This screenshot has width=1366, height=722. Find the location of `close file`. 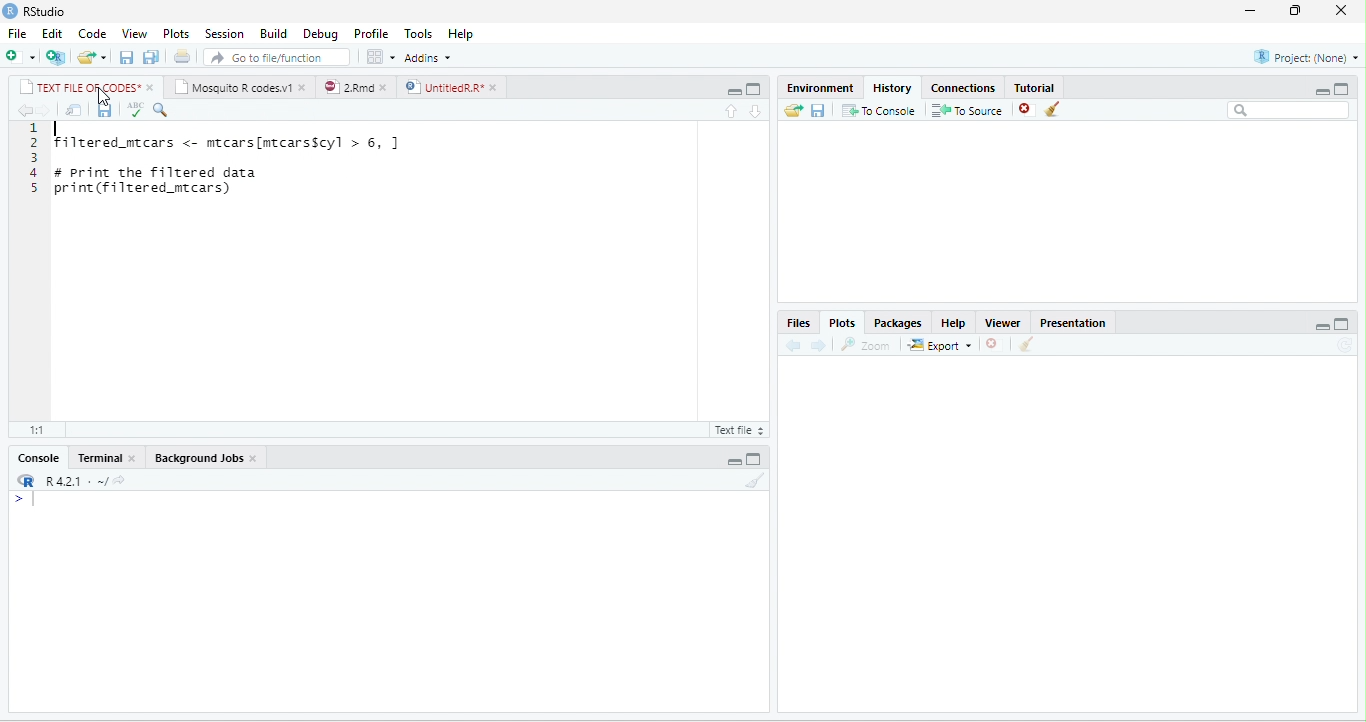

close file is located at coordinates (994, 344).